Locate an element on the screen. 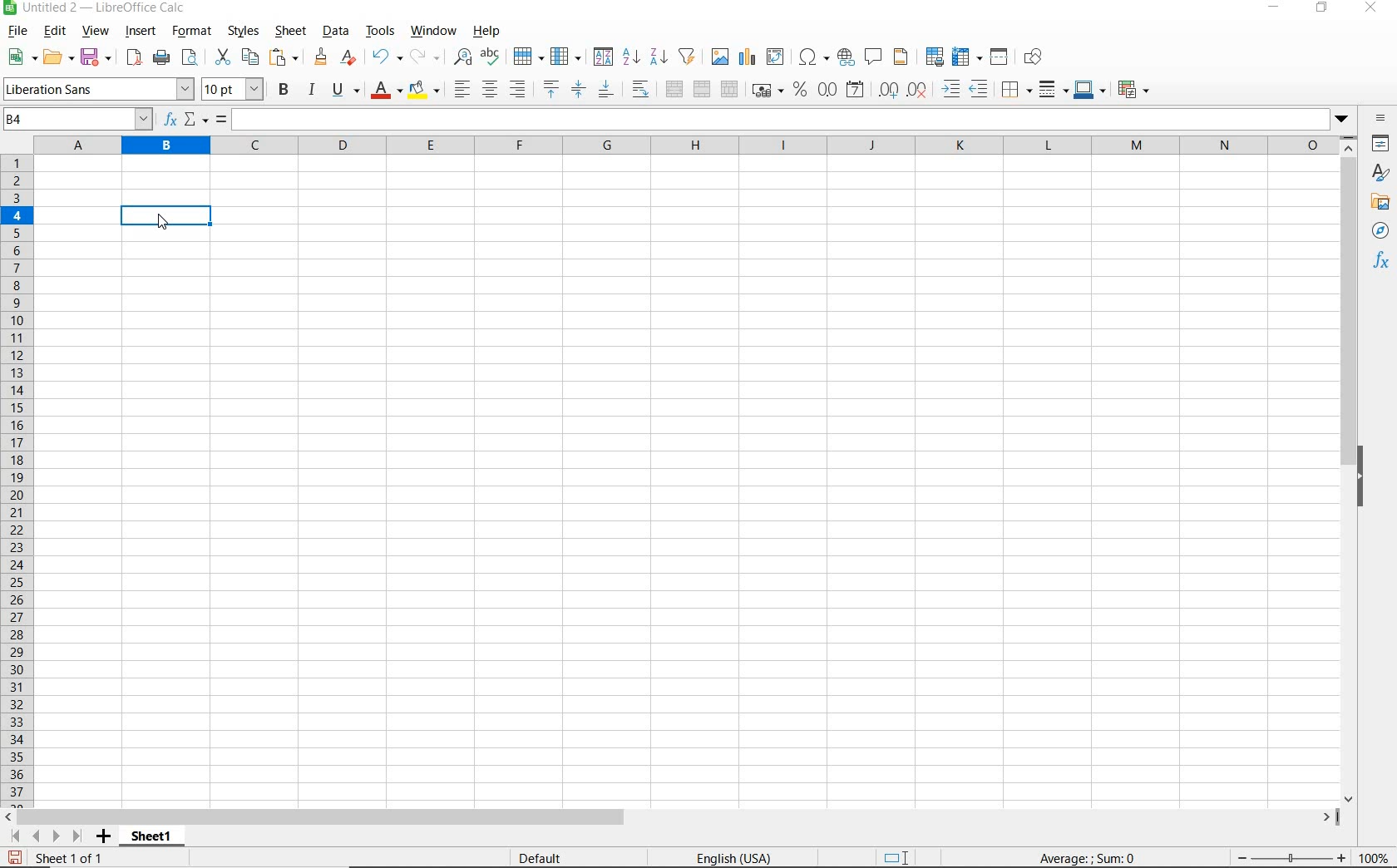  delete decimal place is located at coordinates (917, 89).